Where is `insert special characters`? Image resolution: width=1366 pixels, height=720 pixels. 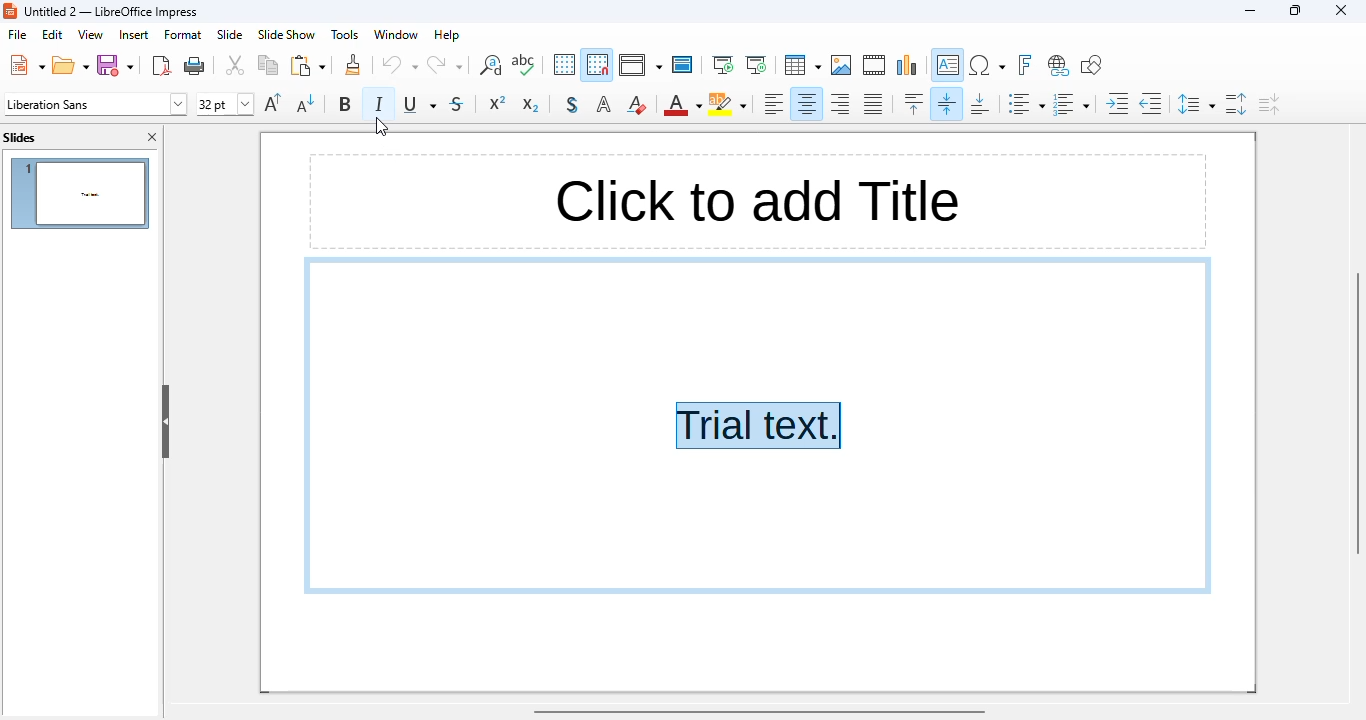
insert special characters is located at coordinates (987, 65).